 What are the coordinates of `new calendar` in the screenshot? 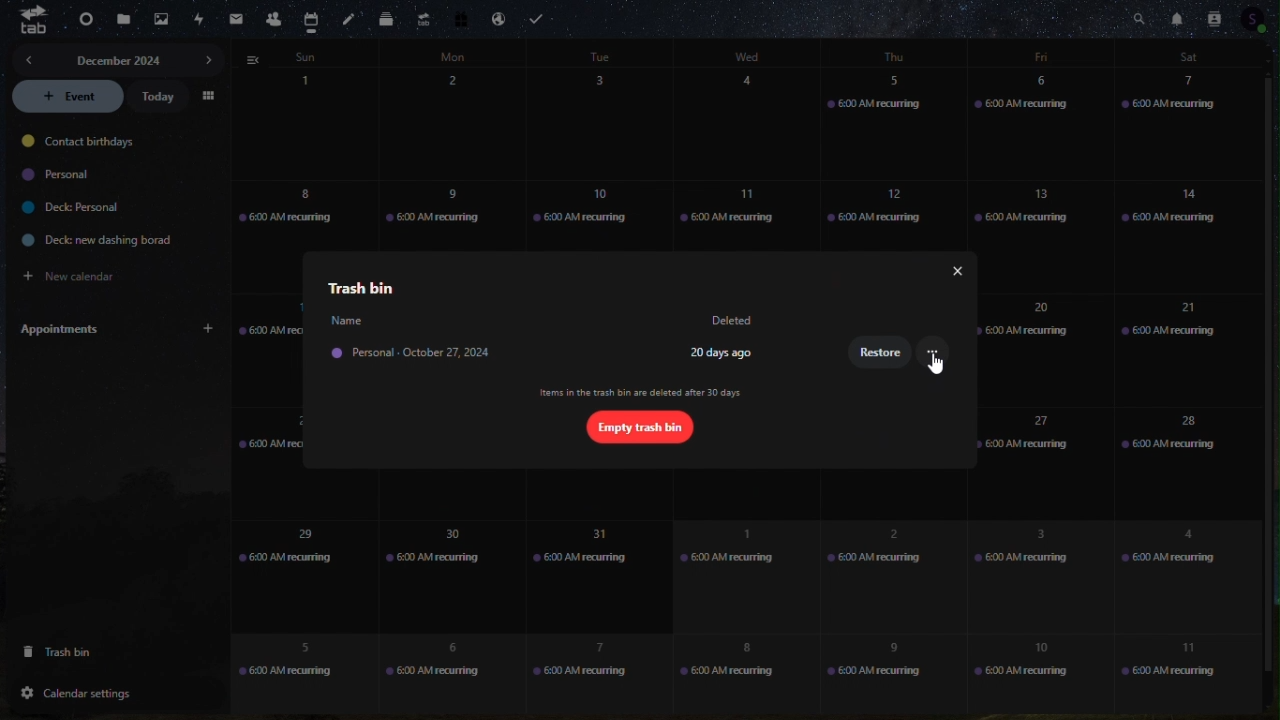 It's located at (86, 273).